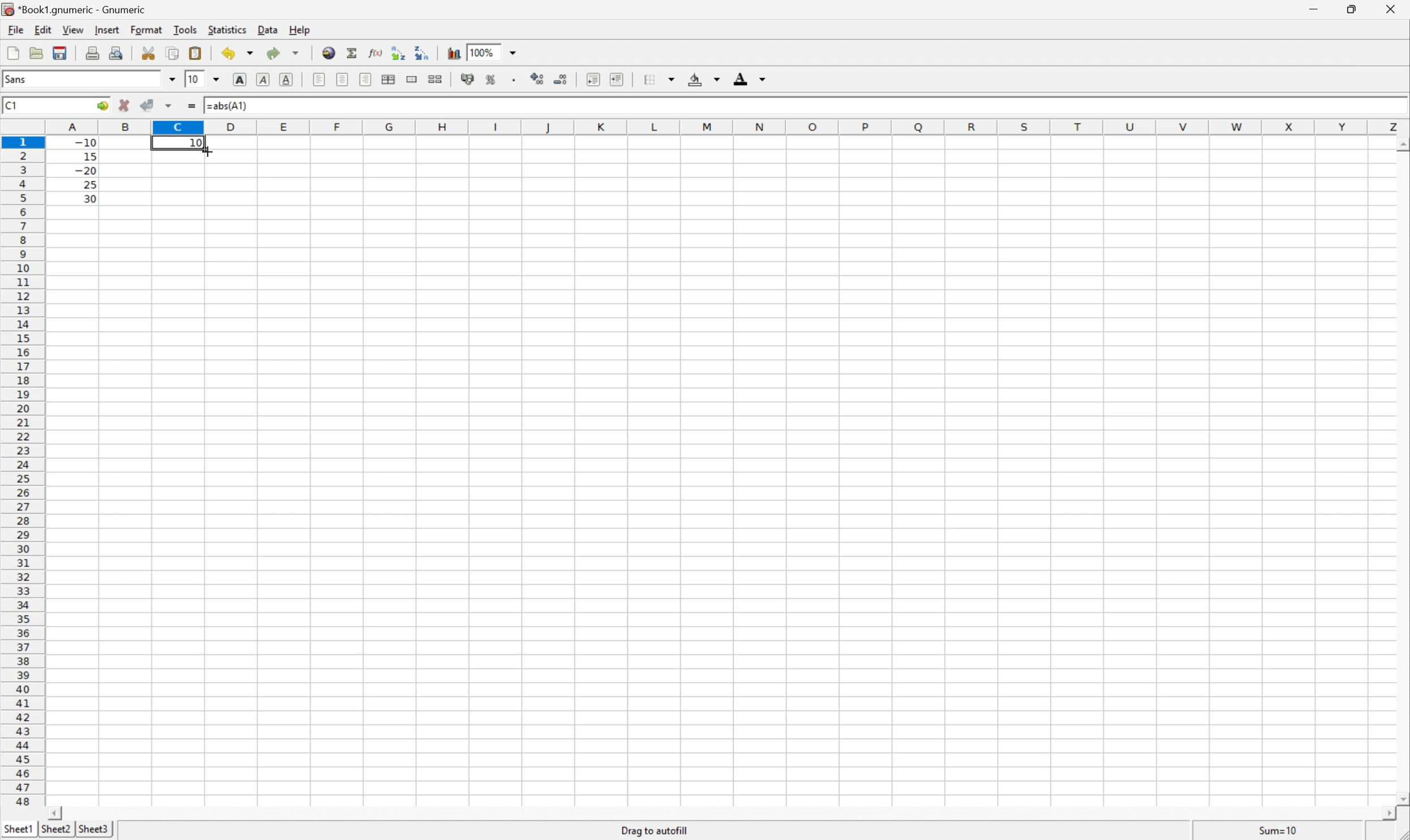 Image resolution: width=1410 pixels, height=840 pixels. What do you see at coordinates (343, 79) in the screenshot?
I see `center horizontally` at bounding box center [343, 79].